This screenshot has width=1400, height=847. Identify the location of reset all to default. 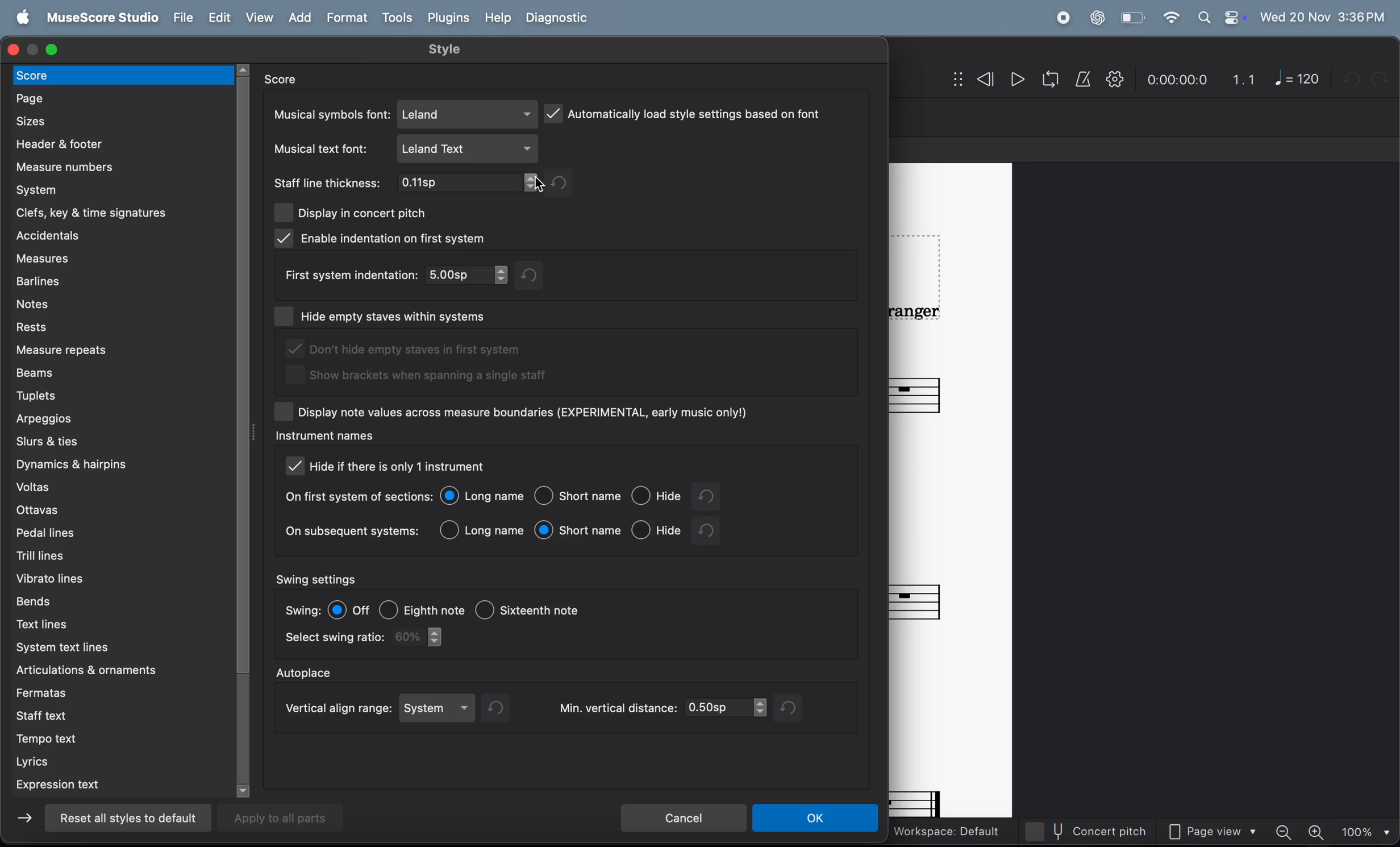
(124, 818).